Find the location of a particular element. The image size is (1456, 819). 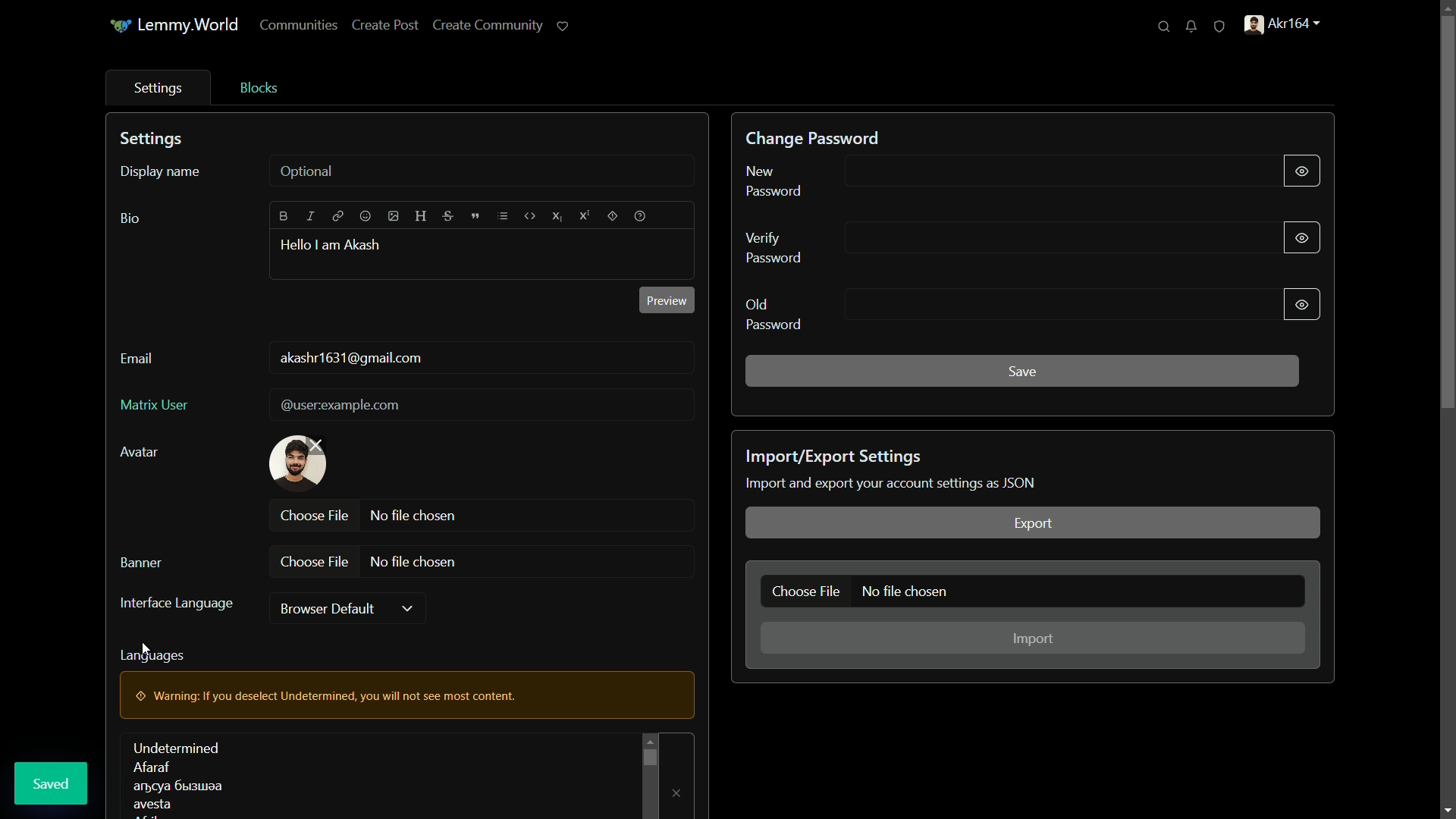

new password is located at coordinates (775, 181).